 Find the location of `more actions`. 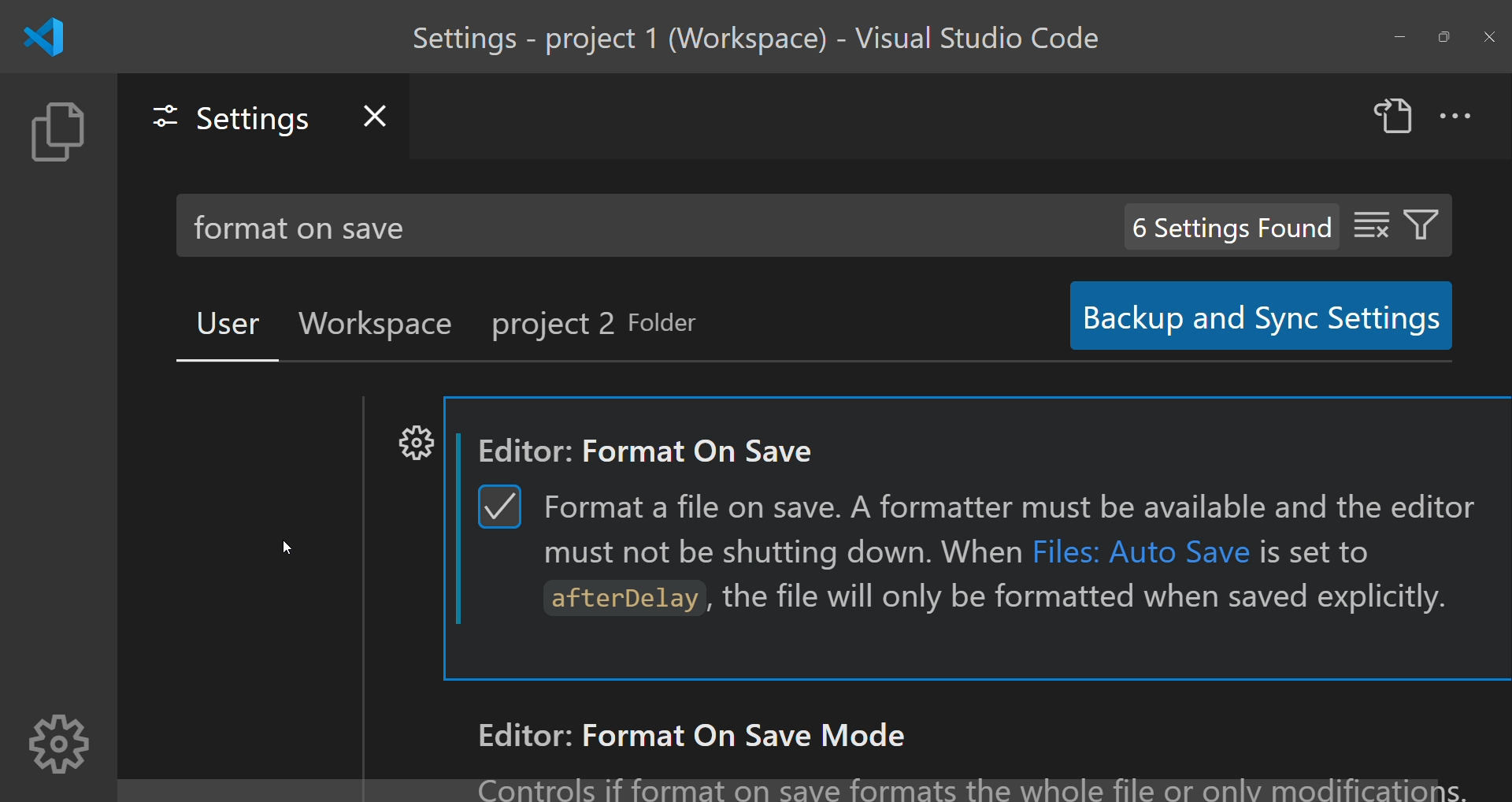

more actions is located at coordinates (1468, 114).